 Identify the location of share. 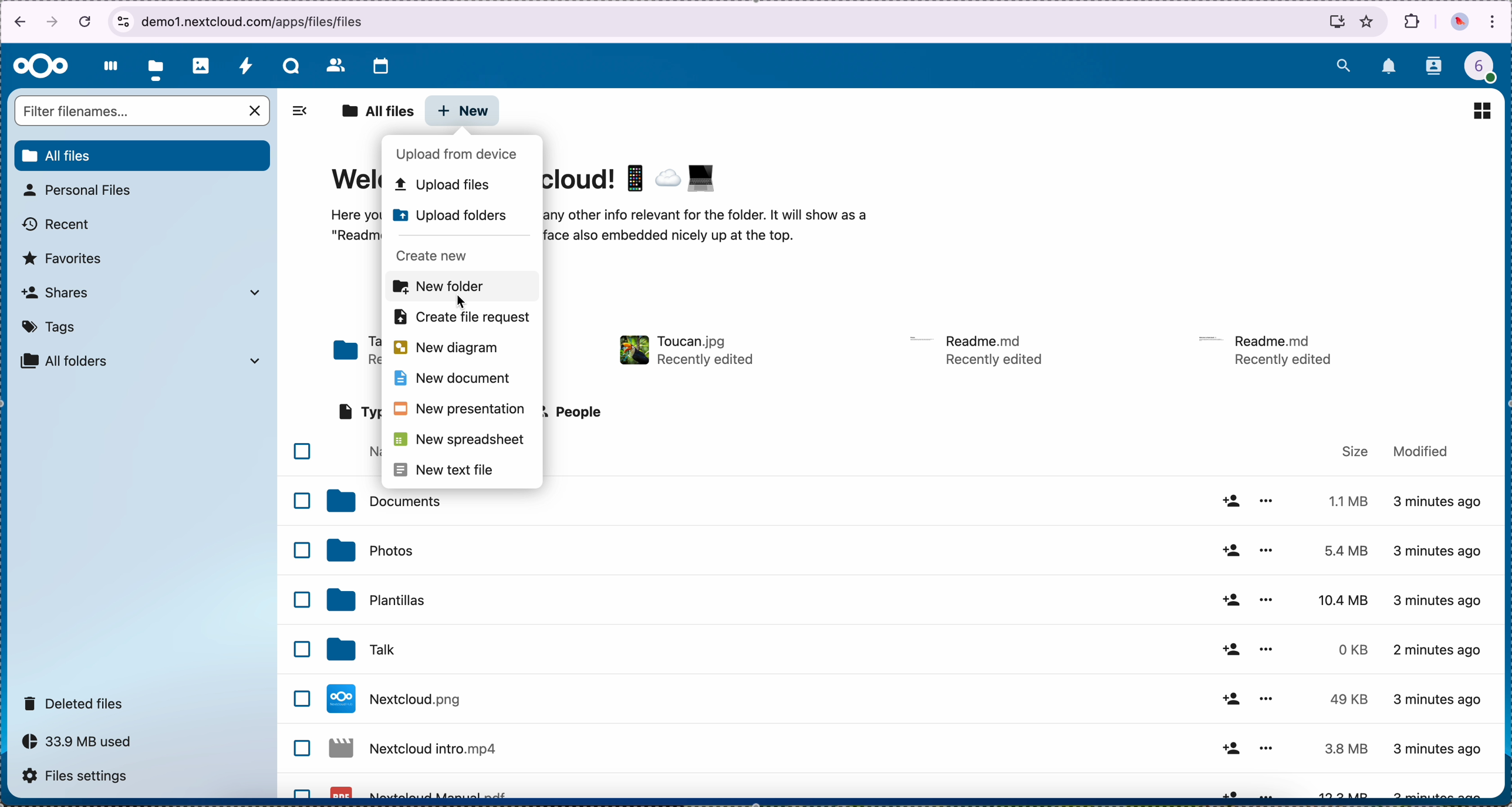
(1230, 698).